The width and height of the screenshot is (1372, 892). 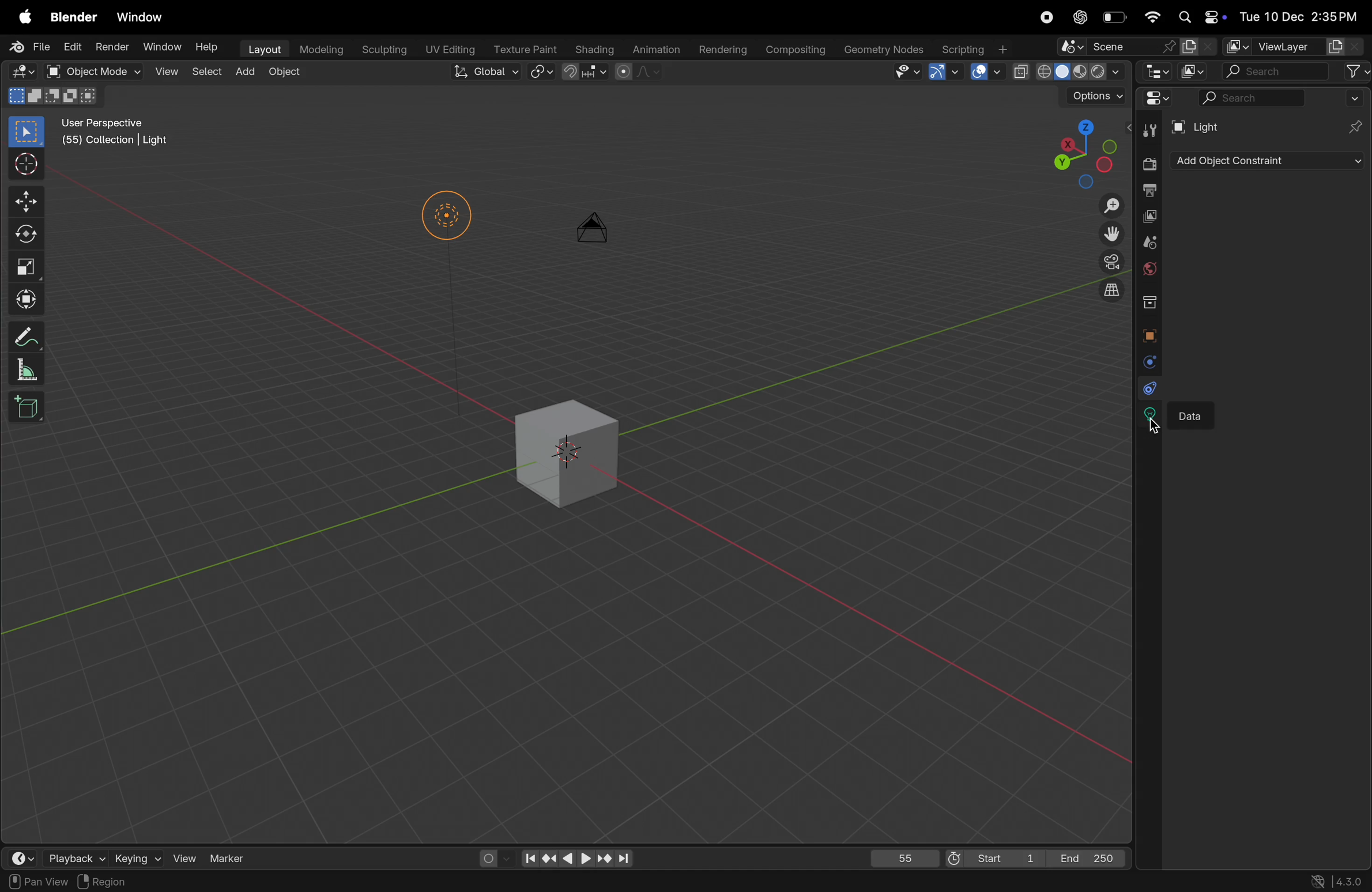 What do you see at coordinates (1154, 302) in the screenshot?
I see `collection` at bounding box center [1154, 302].